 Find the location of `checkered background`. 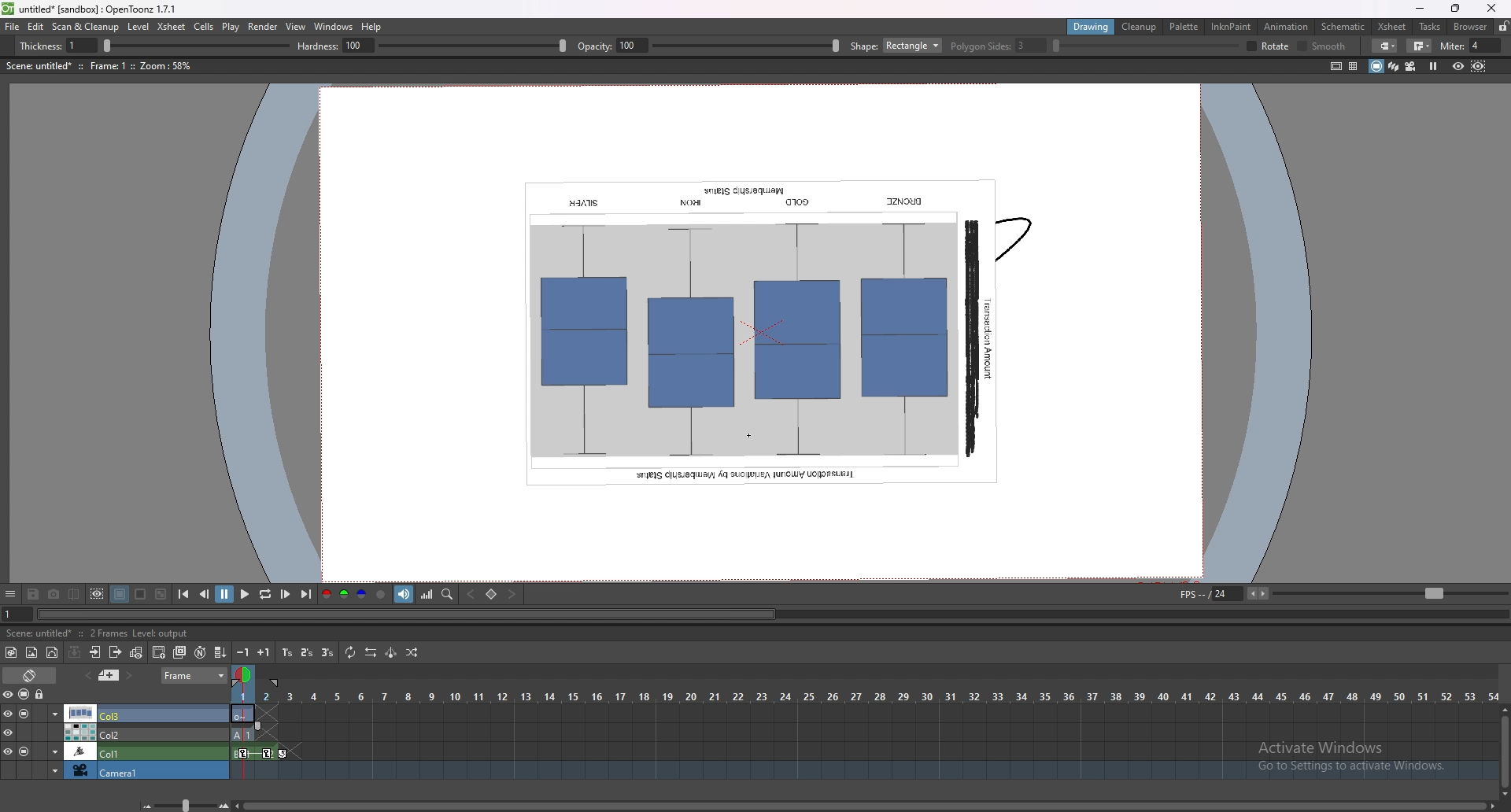

checkered background is located at coordinates (160, 595).